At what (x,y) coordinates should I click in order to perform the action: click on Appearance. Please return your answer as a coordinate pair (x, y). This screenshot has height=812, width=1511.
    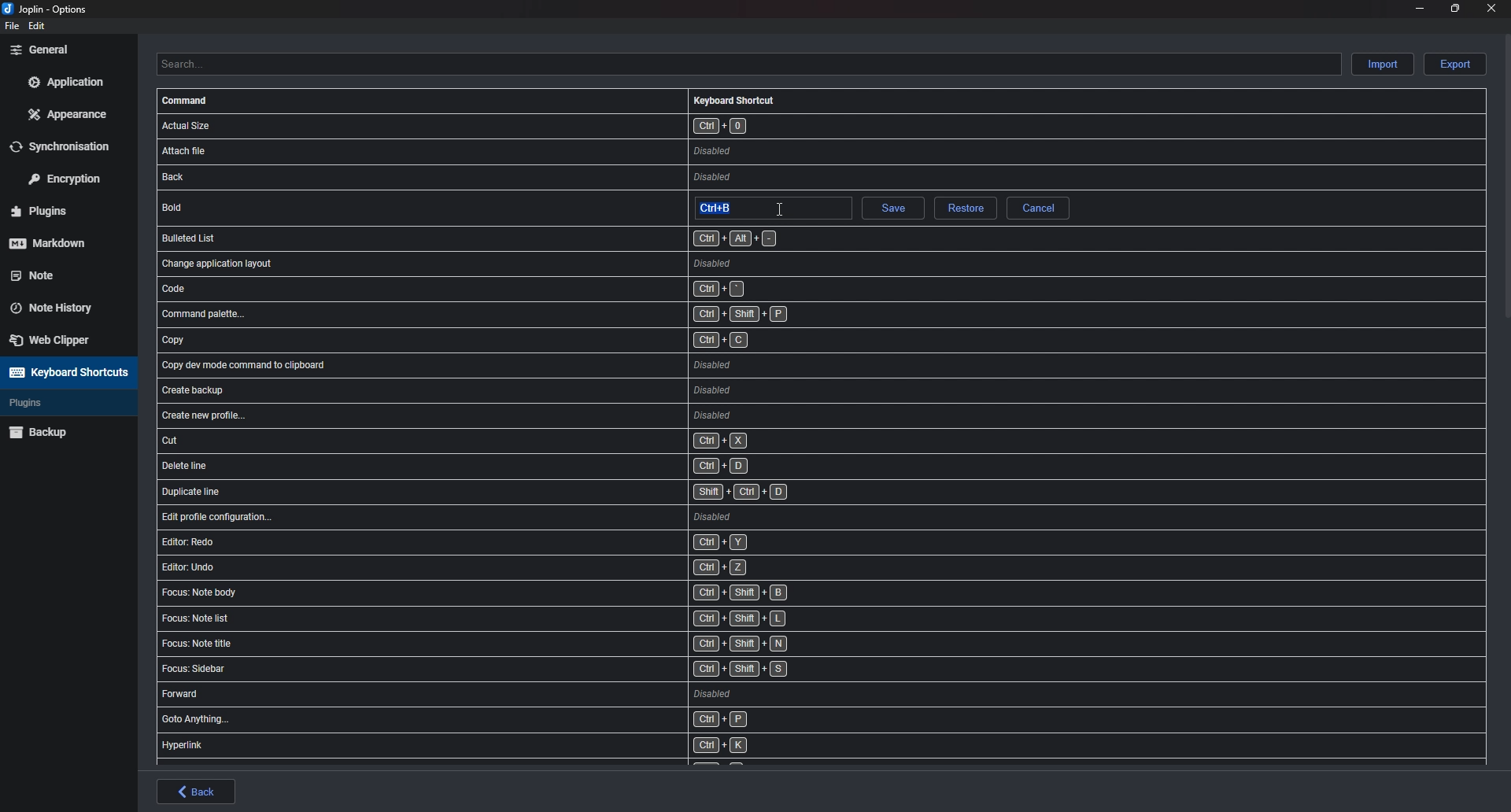
    Looking at the image, I should click on (69, 113).